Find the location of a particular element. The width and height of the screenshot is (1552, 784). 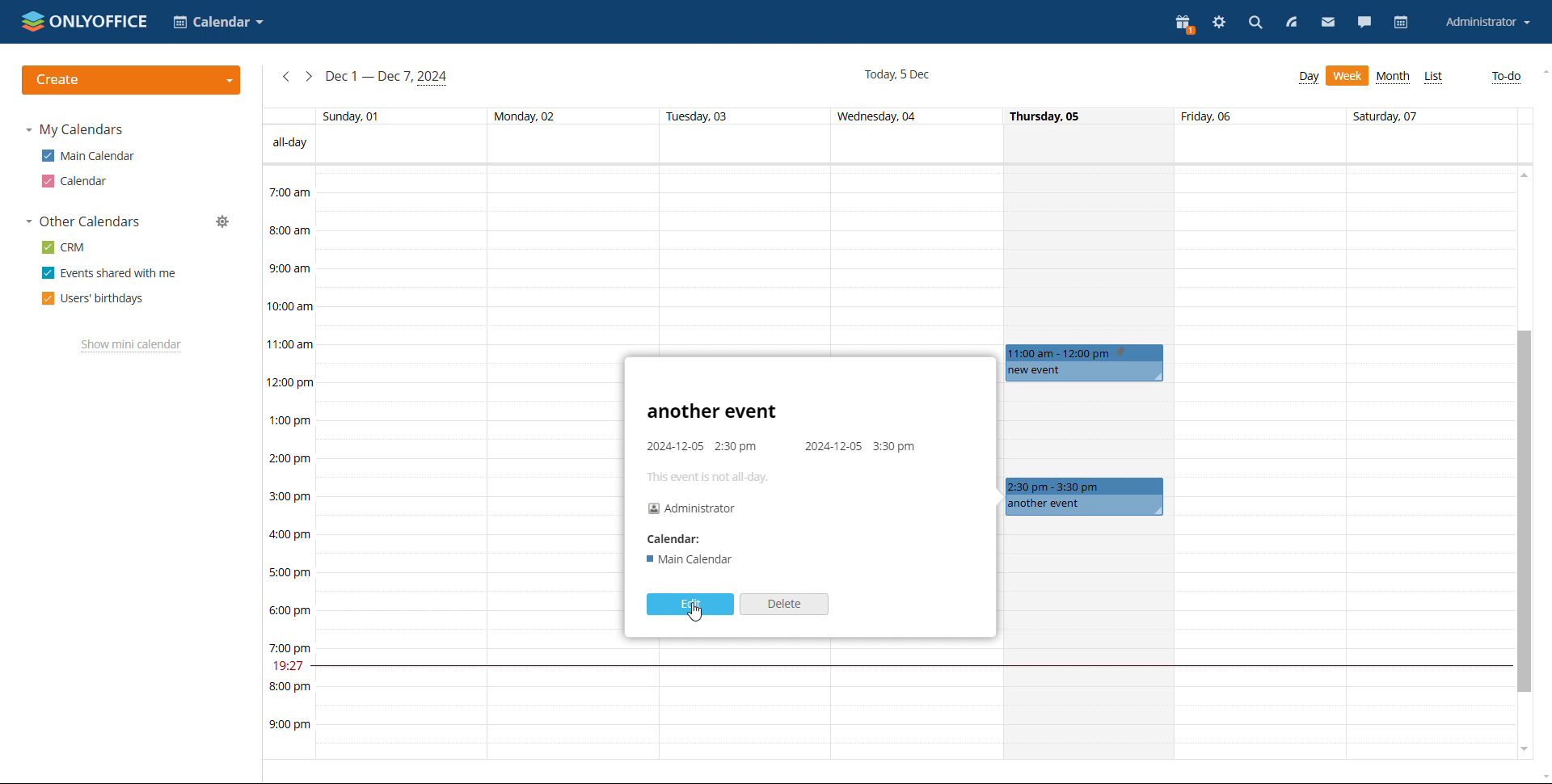

cursor is located at coordinates (697, 613).